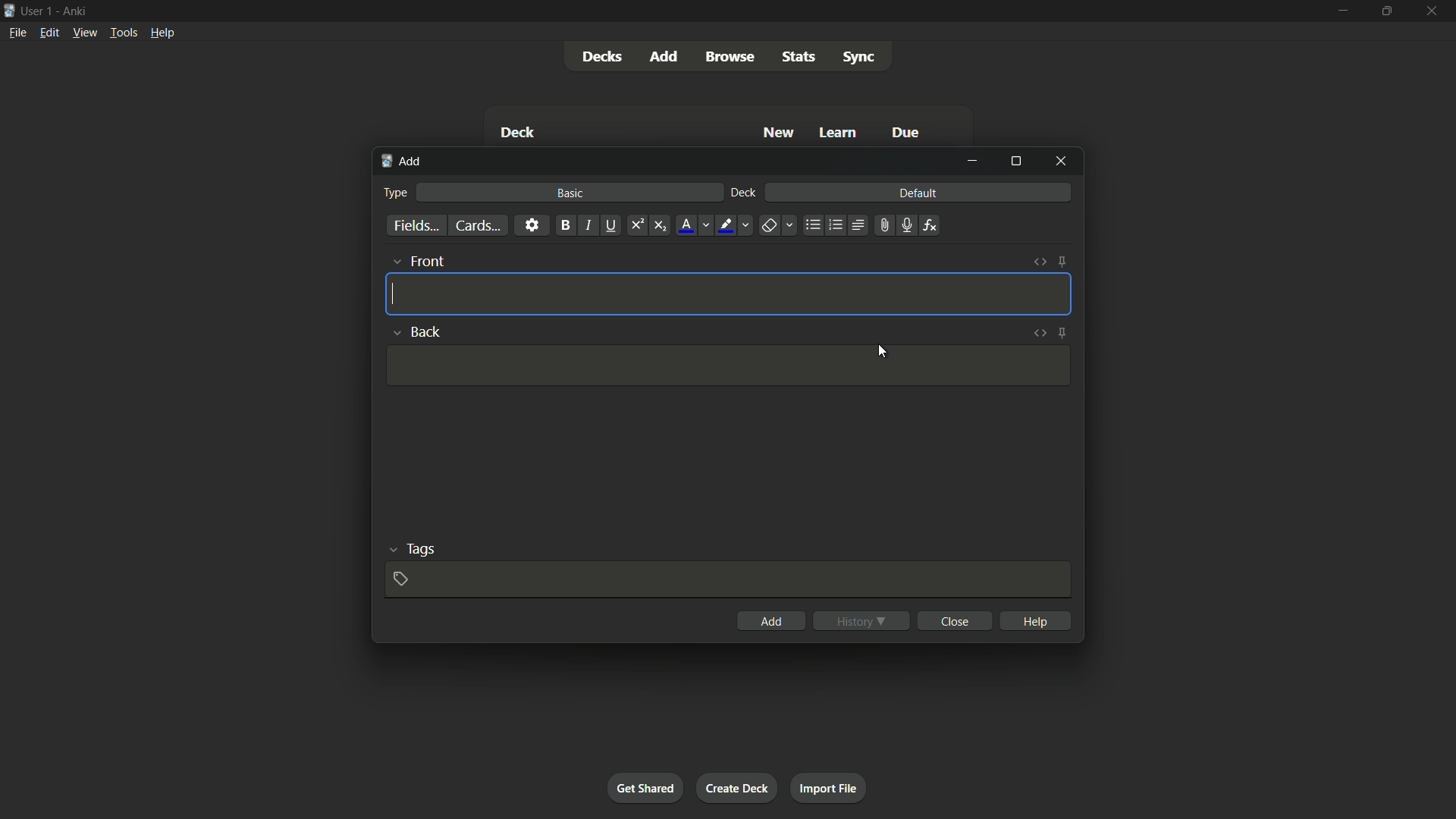 Image resolution: width=1456 pixels, height=819 pixels. I want to click on fields, so click(416, 224).